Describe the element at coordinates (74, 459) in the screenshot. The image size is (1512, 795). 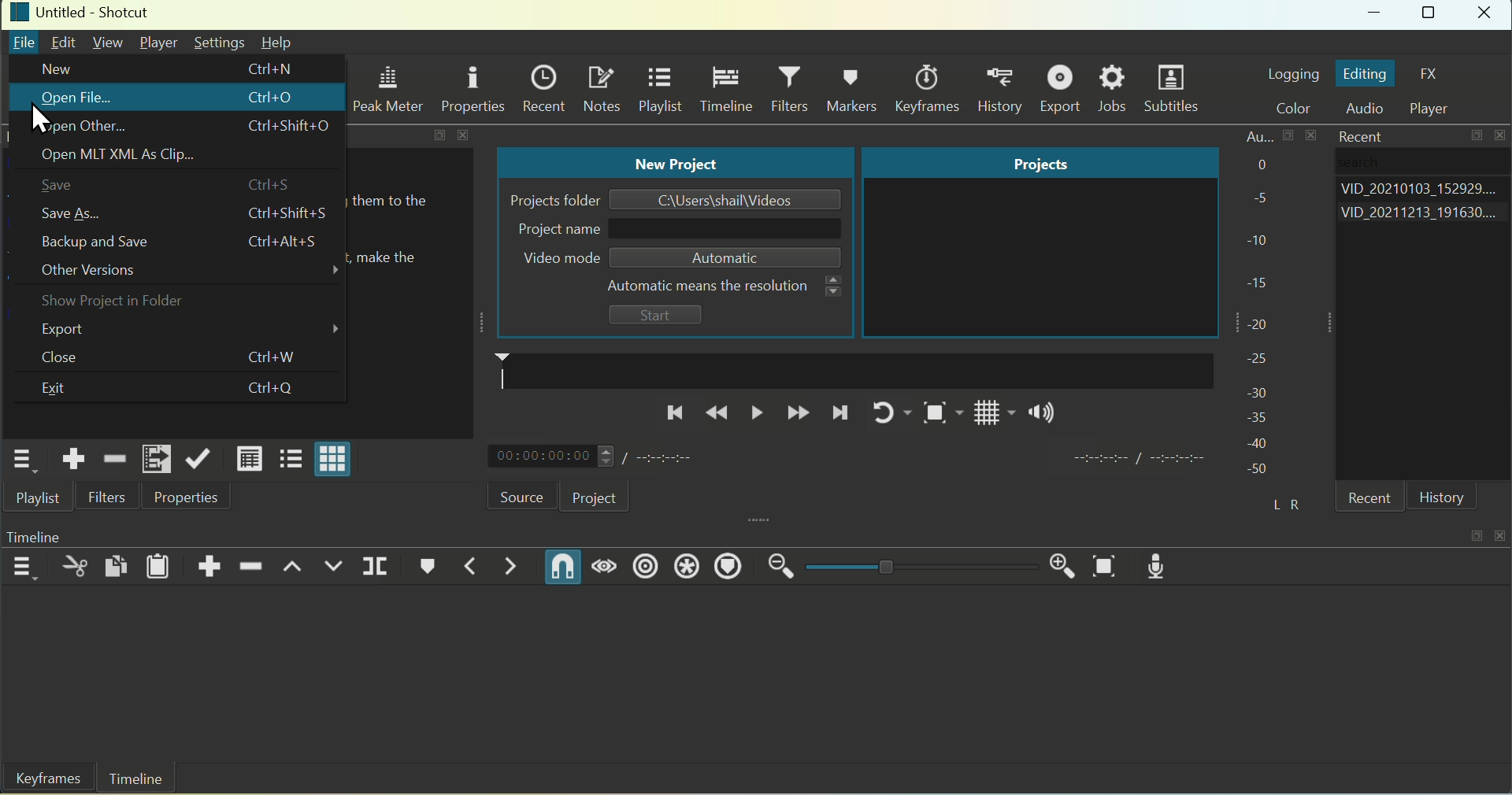
I see `Add the source to the Playlist` at that location.